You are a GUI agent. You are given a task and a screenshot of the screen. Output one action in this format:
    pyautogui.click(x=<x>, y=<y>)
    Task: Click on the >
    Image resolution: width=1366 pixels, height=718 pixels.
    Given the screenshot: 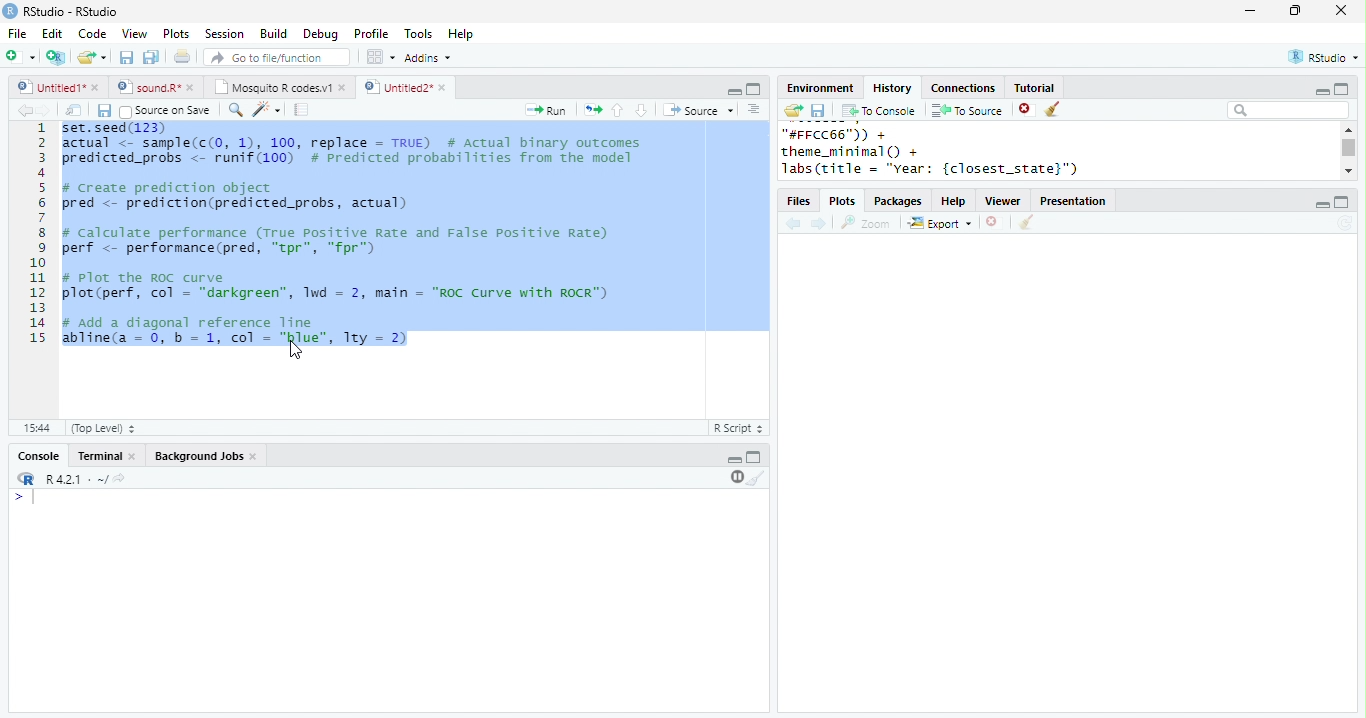 What is the action you would take?
    pyautogui.click(x=27, y=497)
    